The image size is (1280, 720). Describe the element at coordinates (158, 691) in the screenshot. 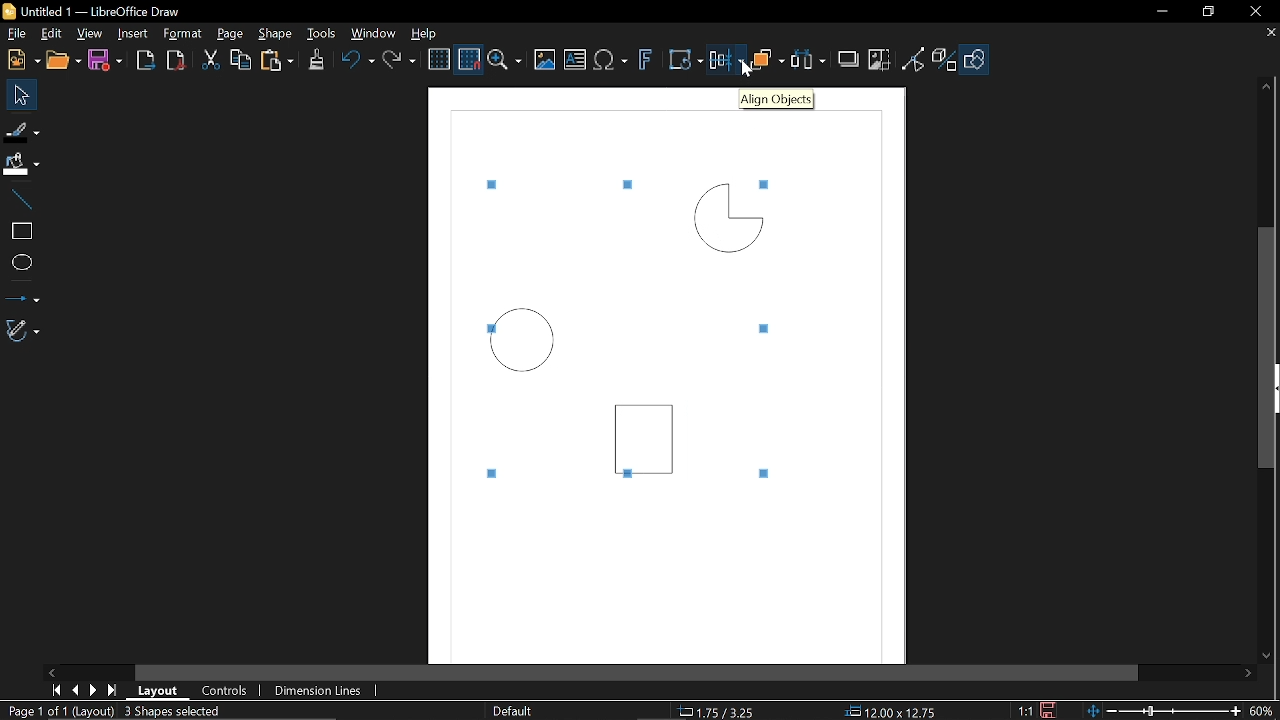

I see `Layout` at that location.